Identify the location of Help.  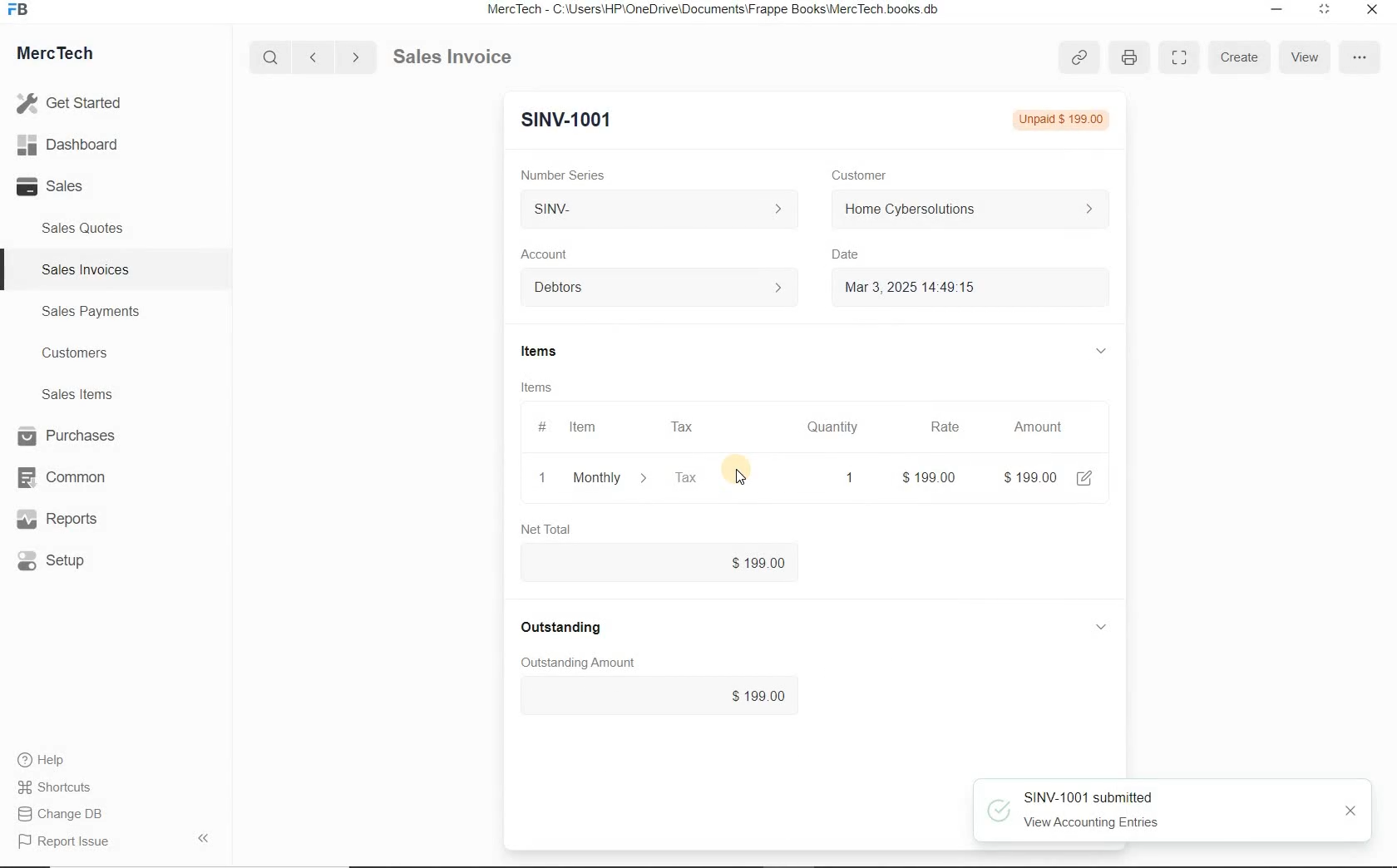
(50, 760).